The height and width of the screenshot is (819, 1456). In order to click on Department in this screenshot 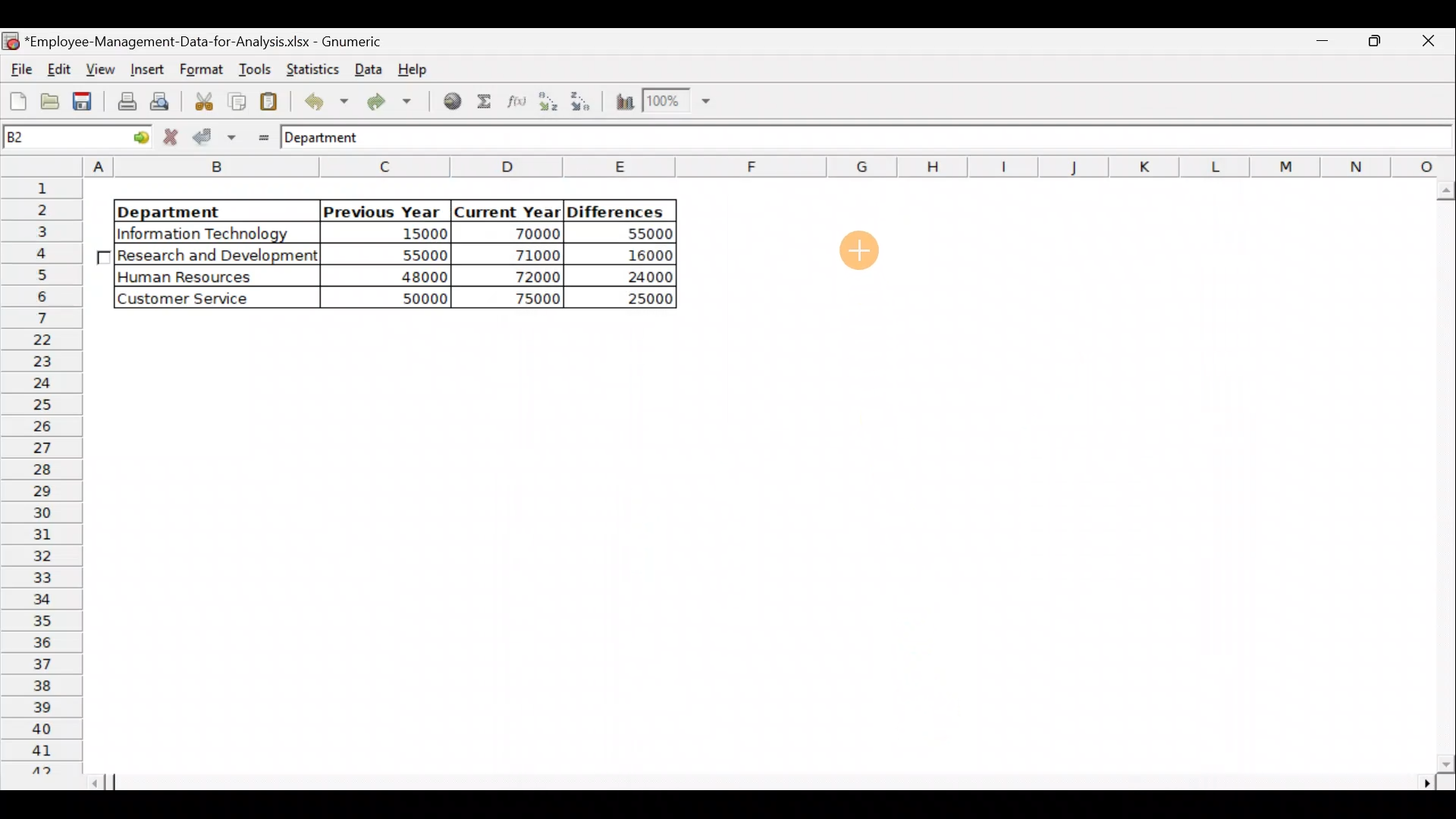, I will do `click(206, 211)`.